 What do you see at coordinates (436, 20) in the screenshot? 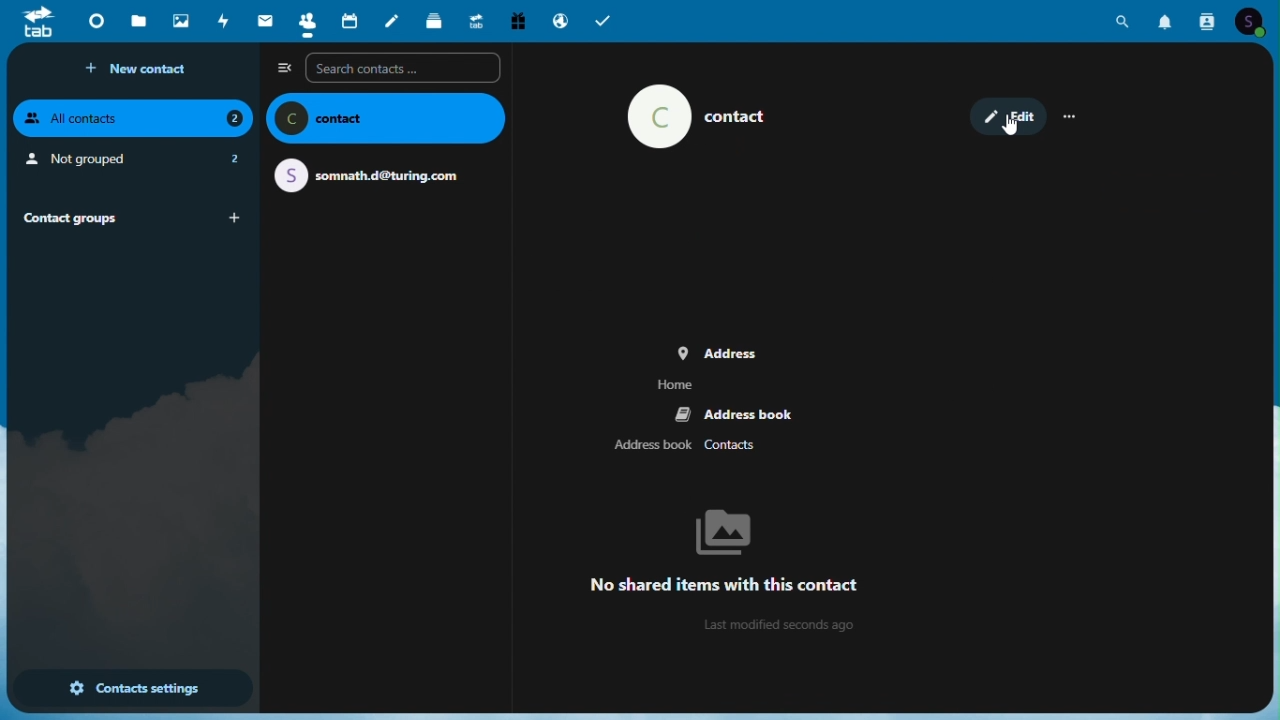
I see `Deck` at bounding box center [436, 20].